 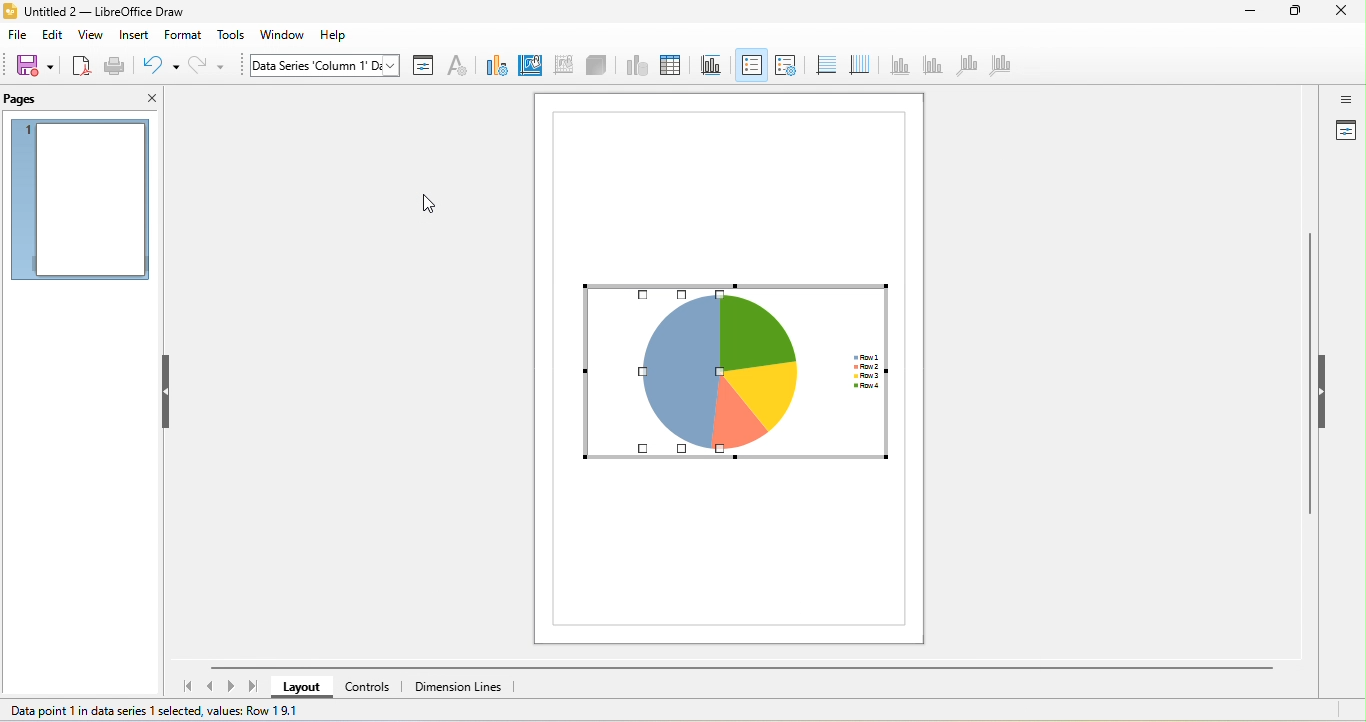 I want to click on hide, so click(x=168, y=391).